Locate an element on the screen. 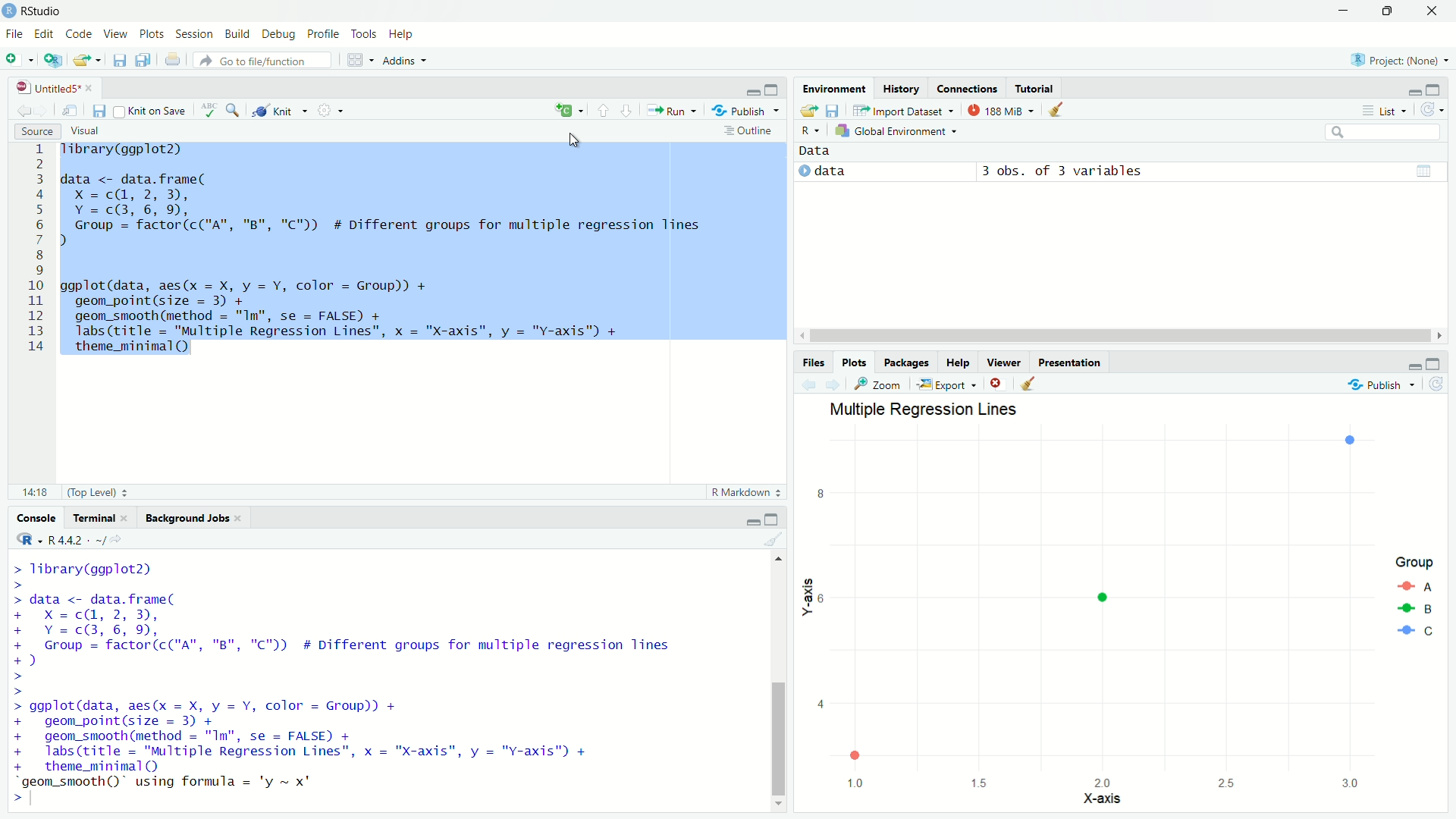 This screenshot has height=819, width=1456. Presentation is located at coordinates (1073, 362).